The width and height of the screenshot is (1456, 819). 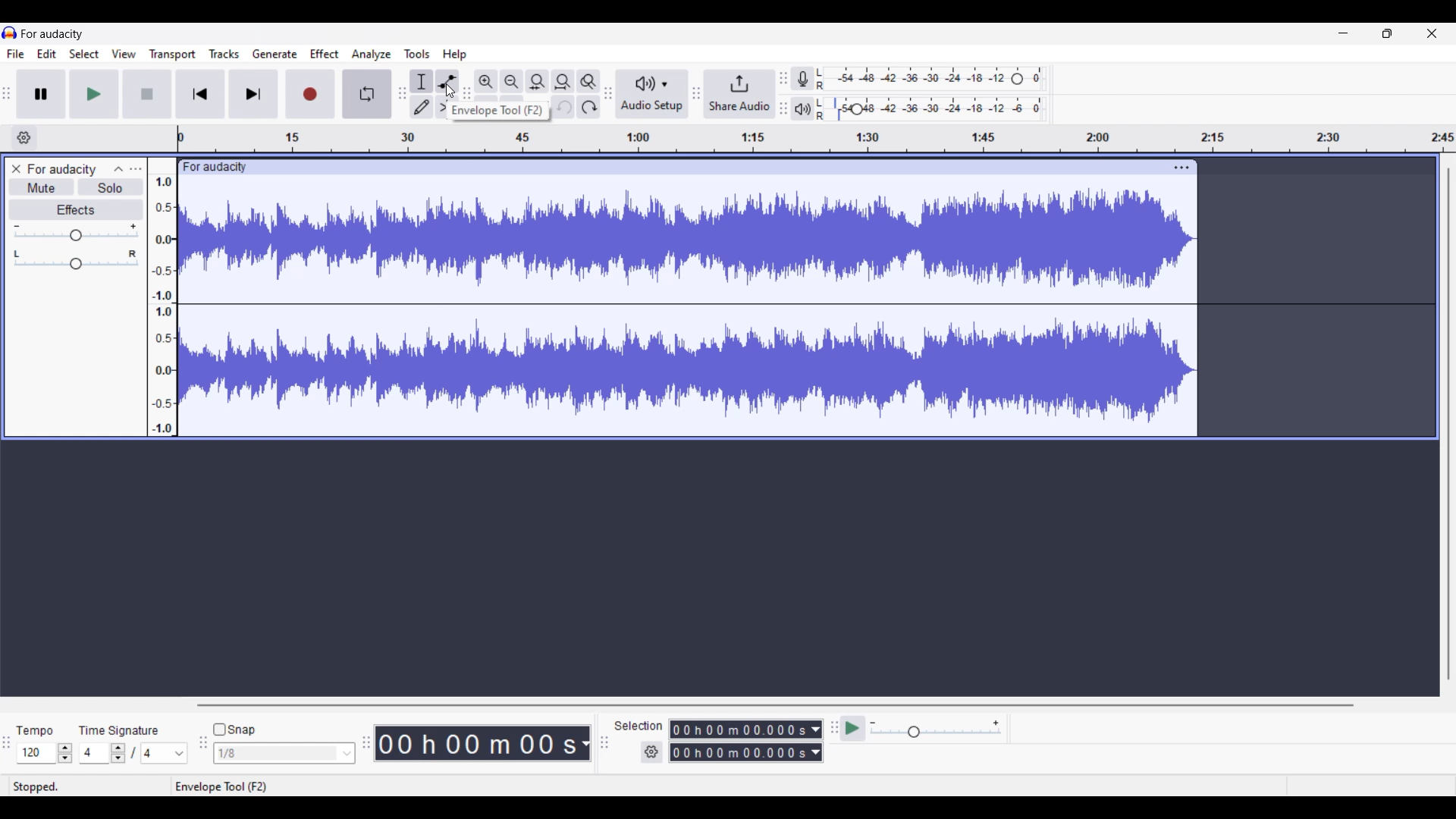 What do you see at coordinates (416, 54) in the screenshot?
I see `Tools` at bounding box center [416, 54].